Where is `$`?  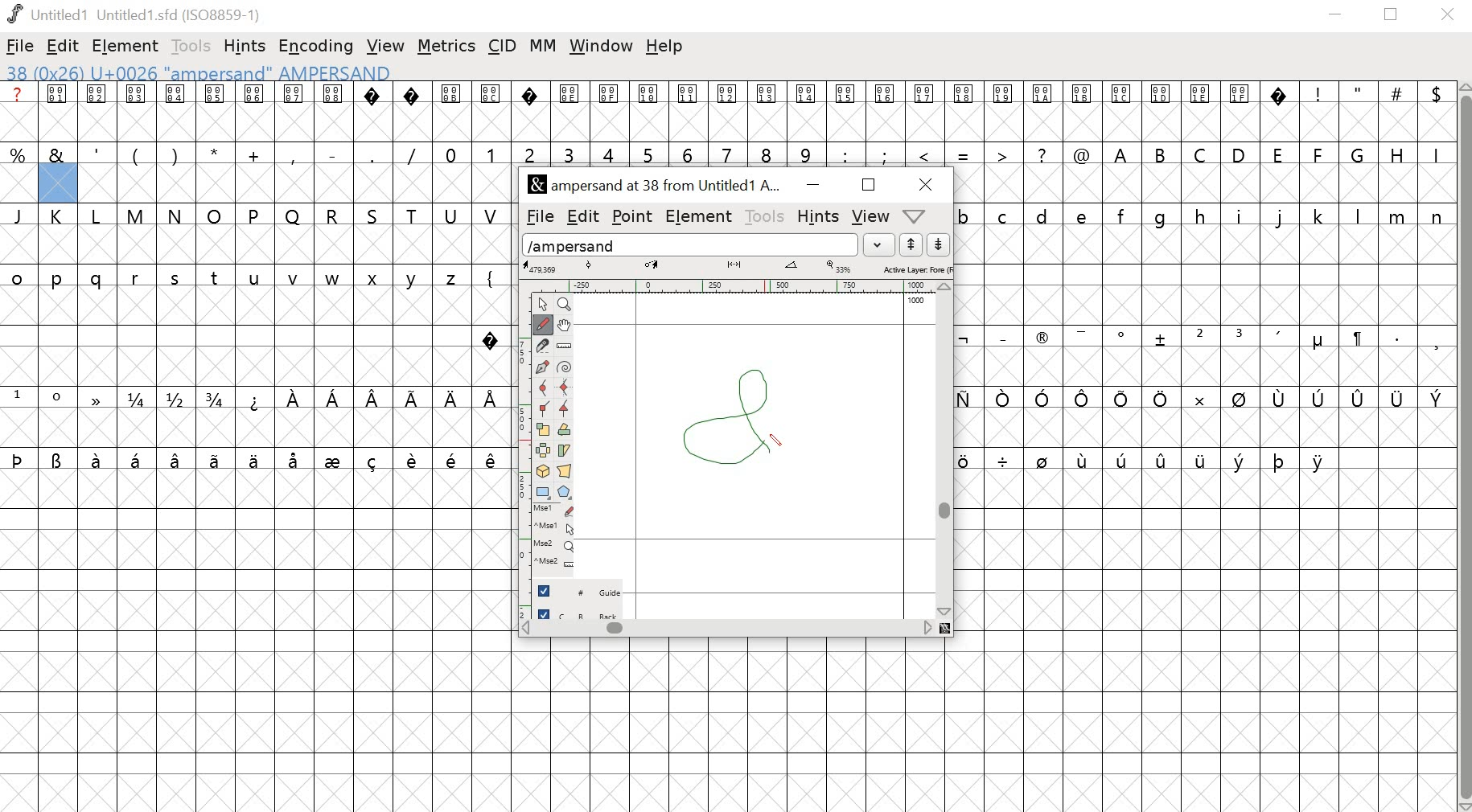 $ is located at coordinates (1434, 112).